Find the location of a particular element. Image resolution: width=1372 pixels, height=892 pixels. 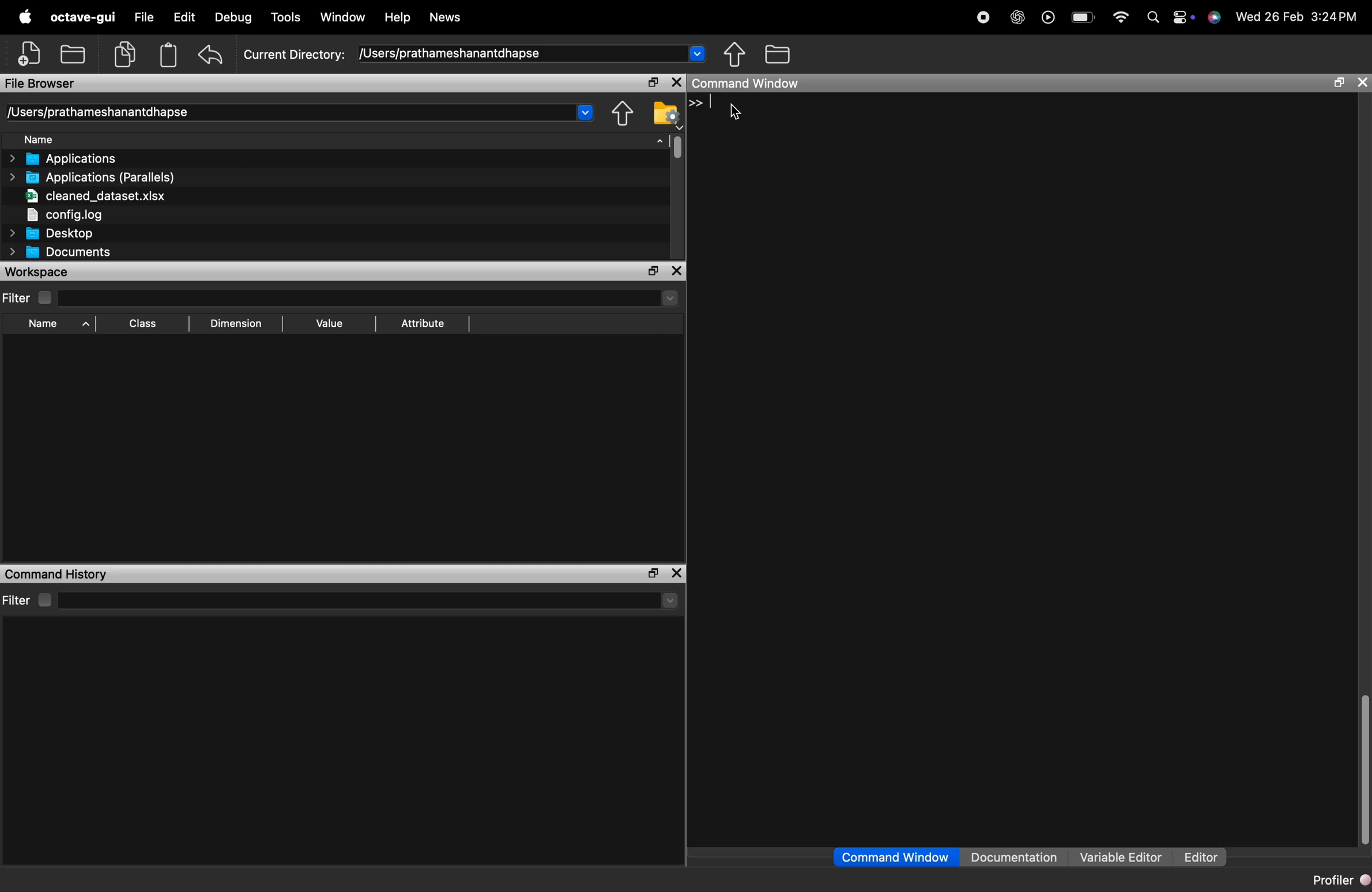

New Script is located at coordinates (31, 54).